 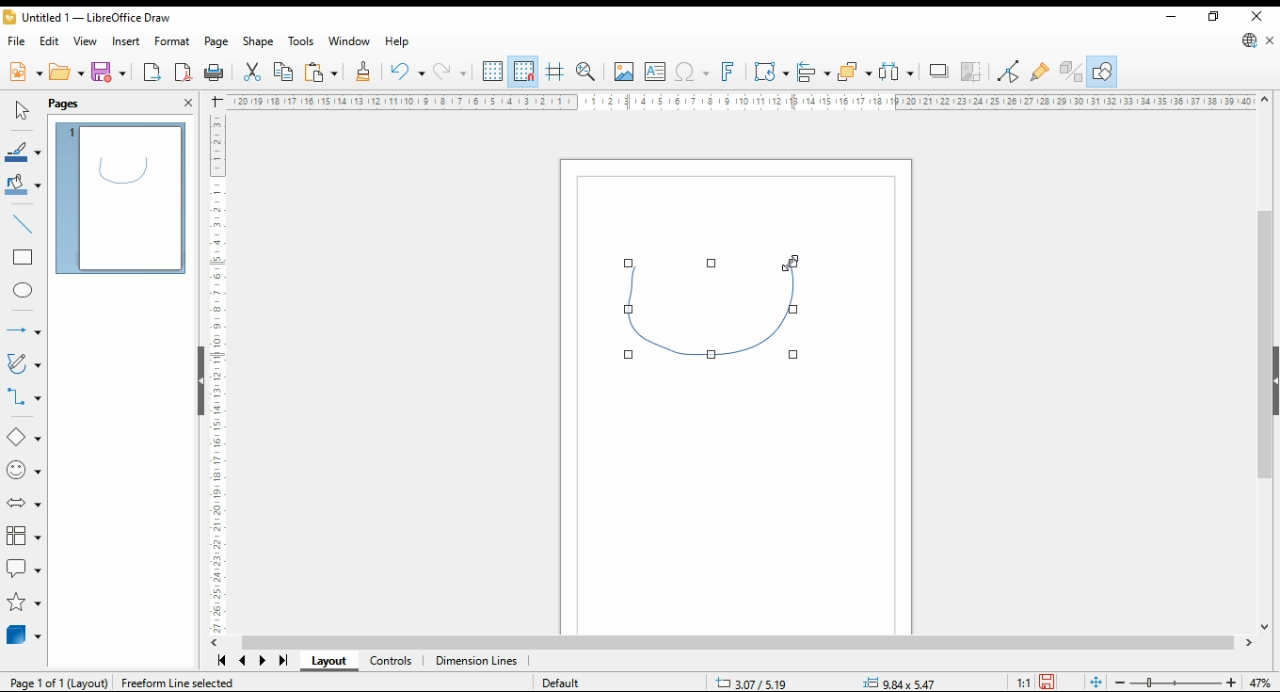 I want to click on fill color, so click(x=23, y=183).